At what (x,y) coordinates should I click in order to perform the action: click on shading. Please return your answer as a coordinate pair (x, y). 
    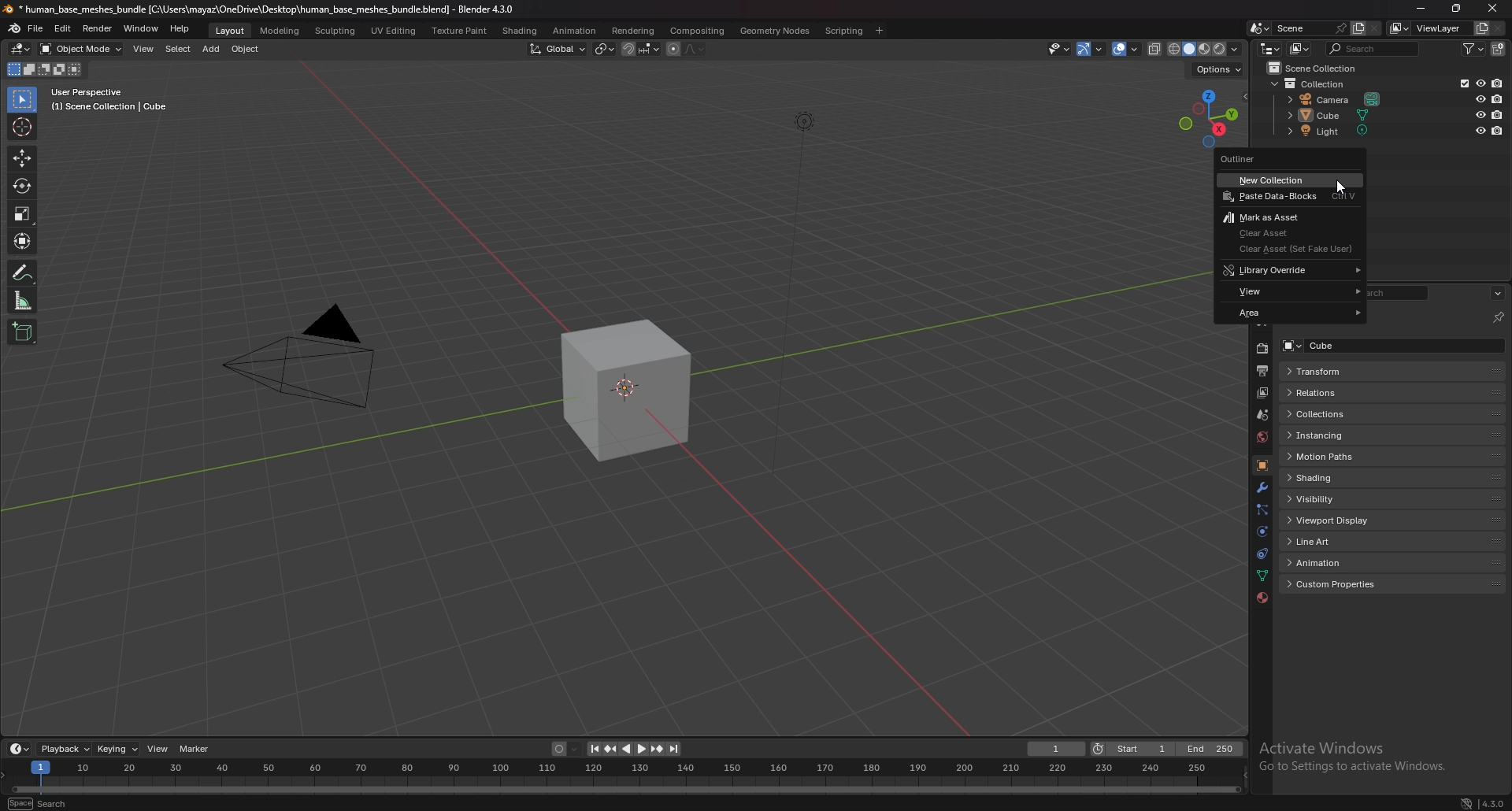
    Looking at the image, I should click on (1343, 477).